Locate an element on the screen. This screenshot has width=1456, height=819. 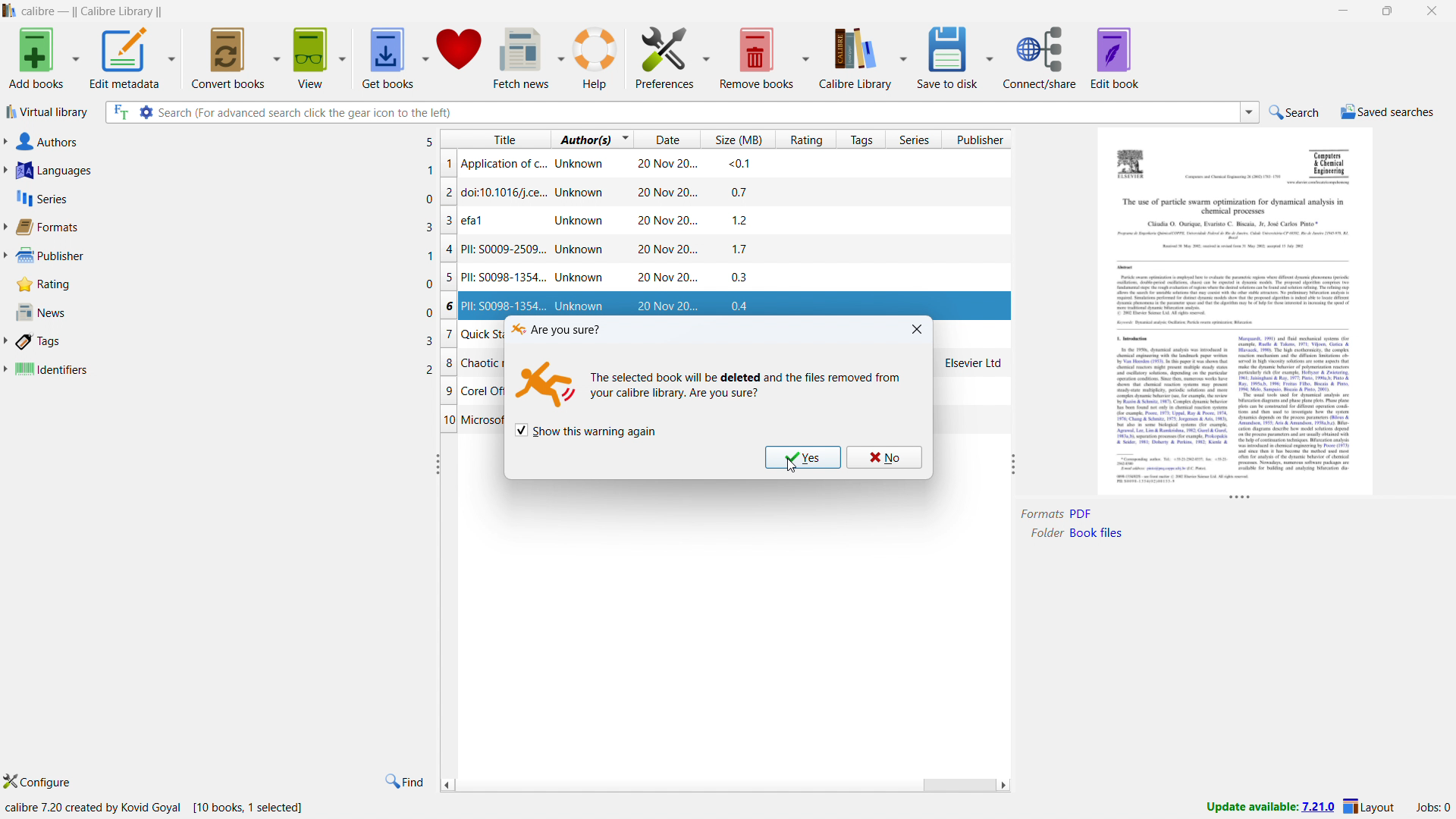
minimize is located at coordinates (1345, 9).